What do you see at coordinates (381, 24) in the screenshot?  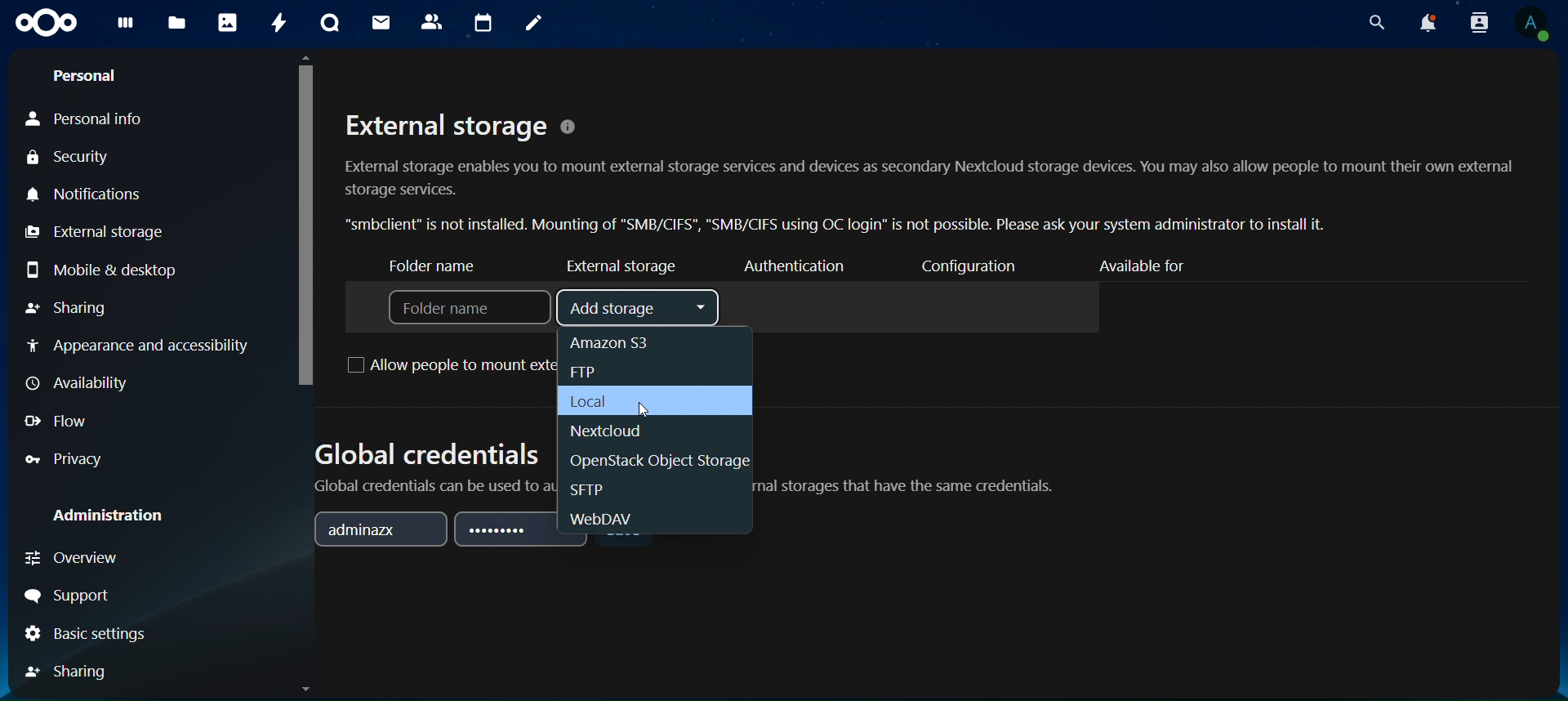 I see `mail` at bounding box center [381, 24].